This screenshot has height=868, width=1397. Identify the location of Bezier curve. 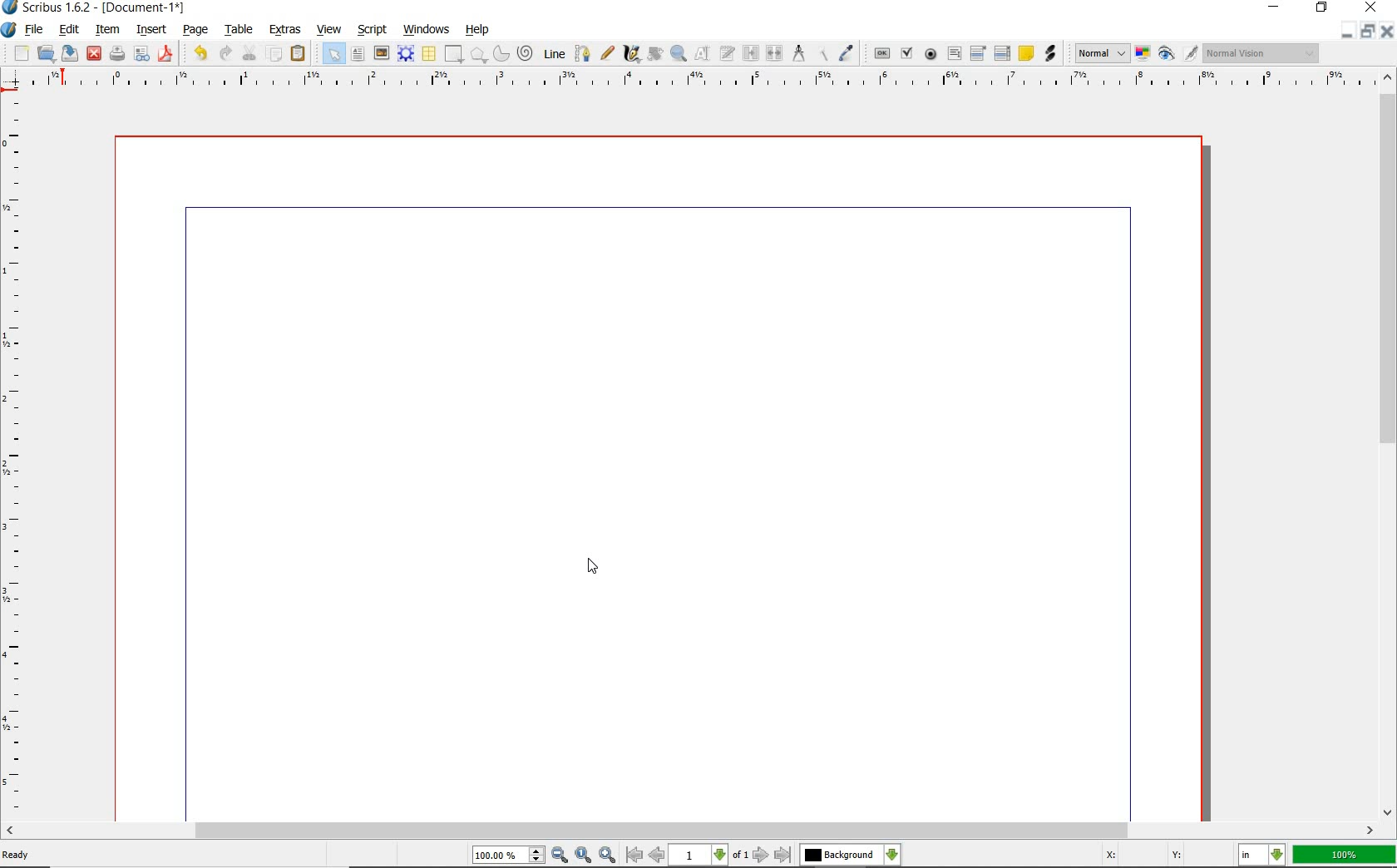
(582, 52).